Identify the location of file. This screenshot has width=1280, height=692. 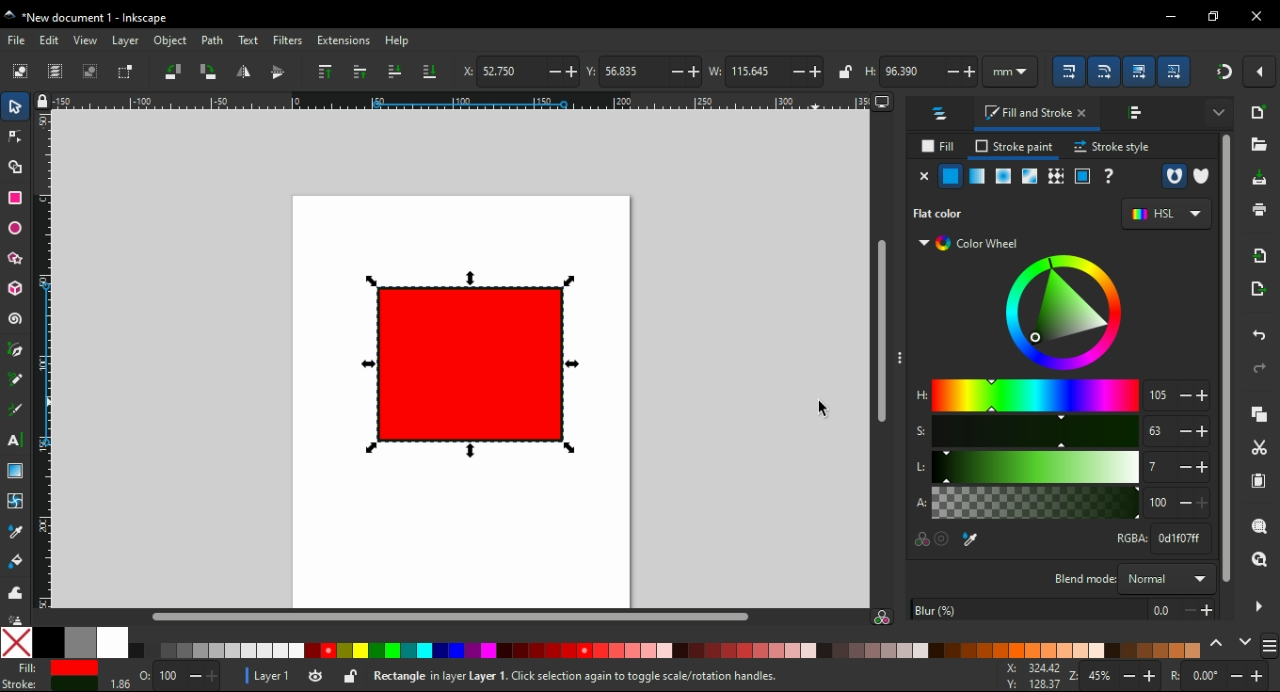
(18, 41).